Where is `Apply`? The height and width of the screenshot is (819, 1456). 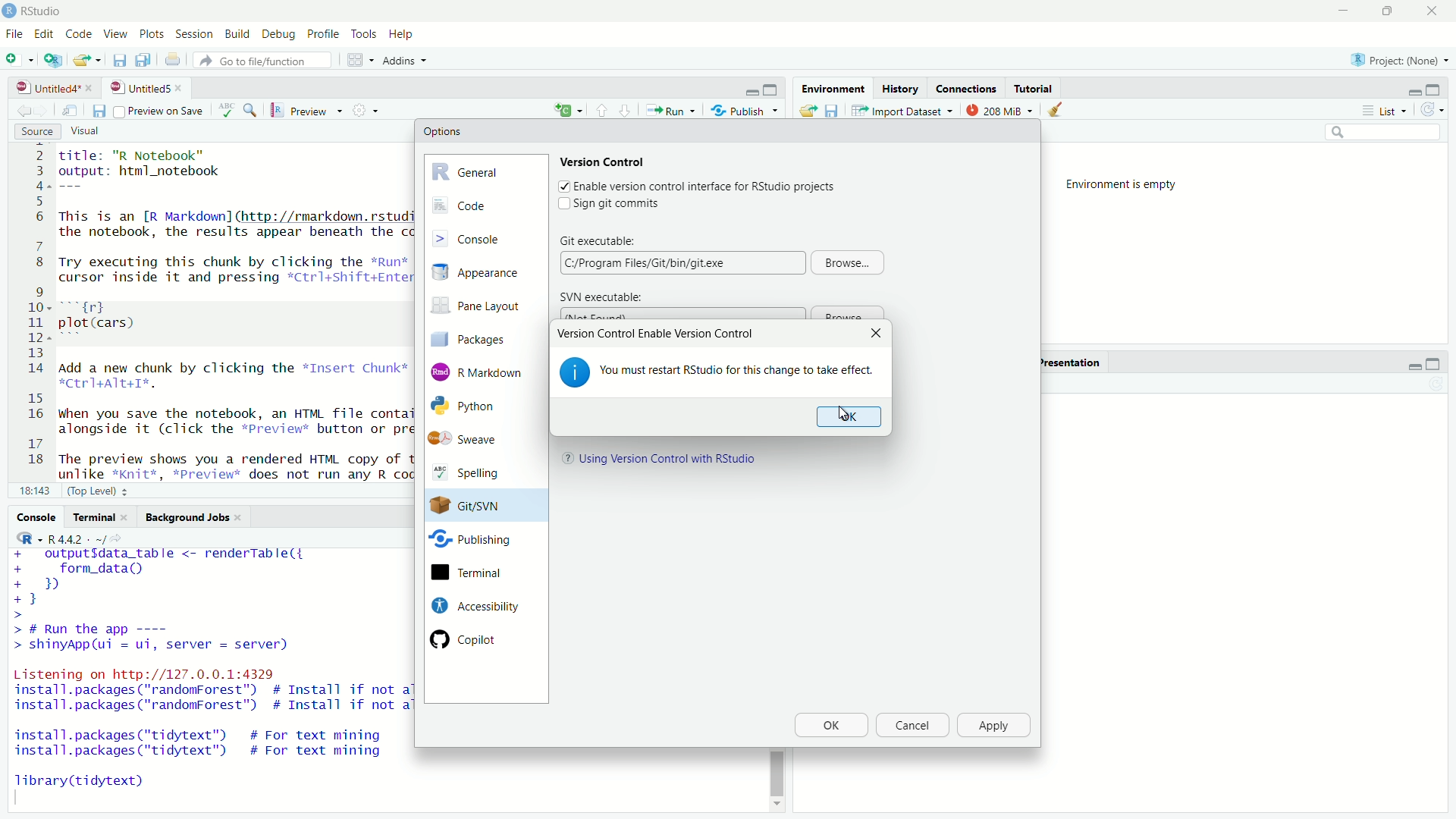
Apply is located at coordinates (995, 726).